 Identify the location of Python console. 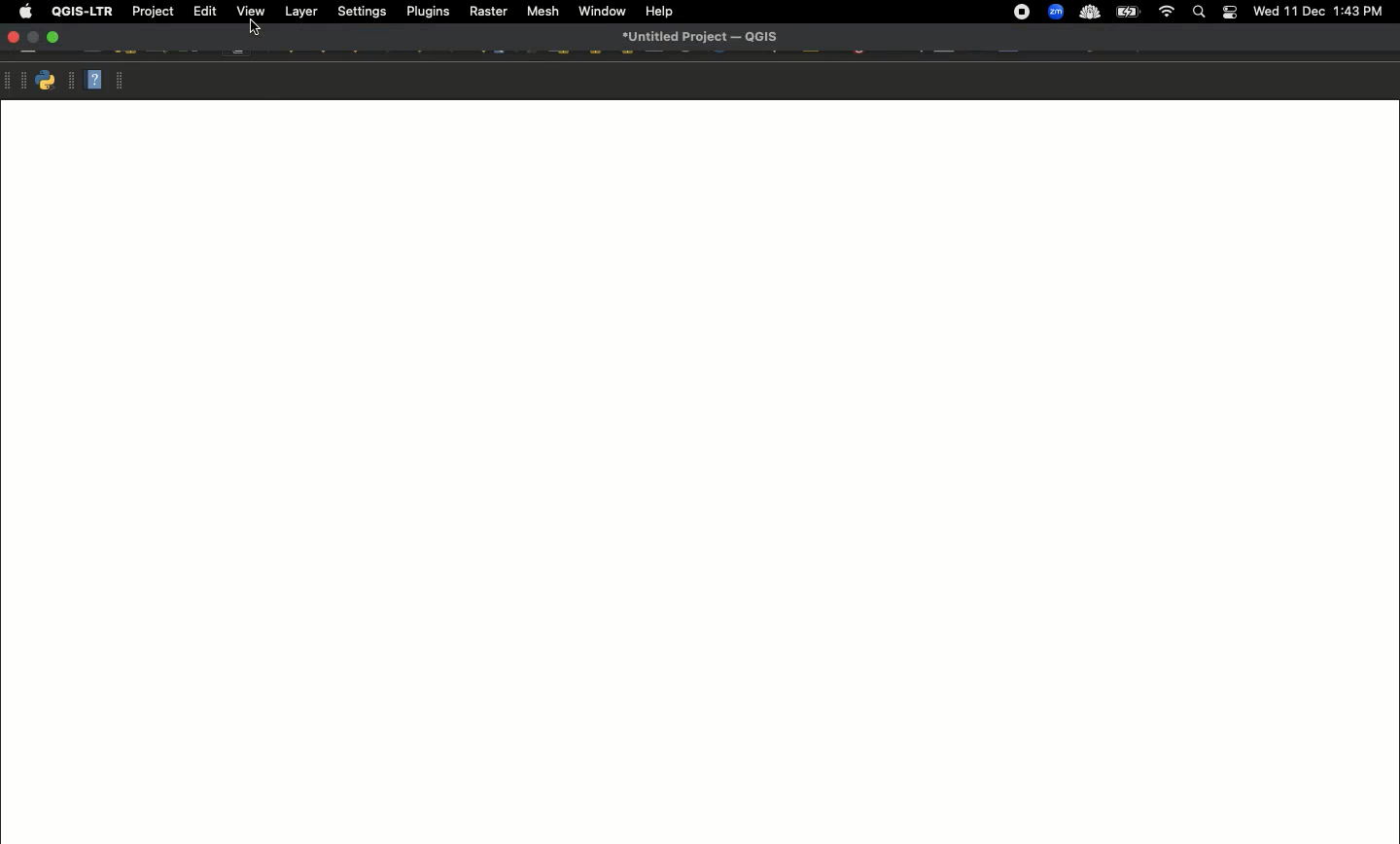
(46, 81).